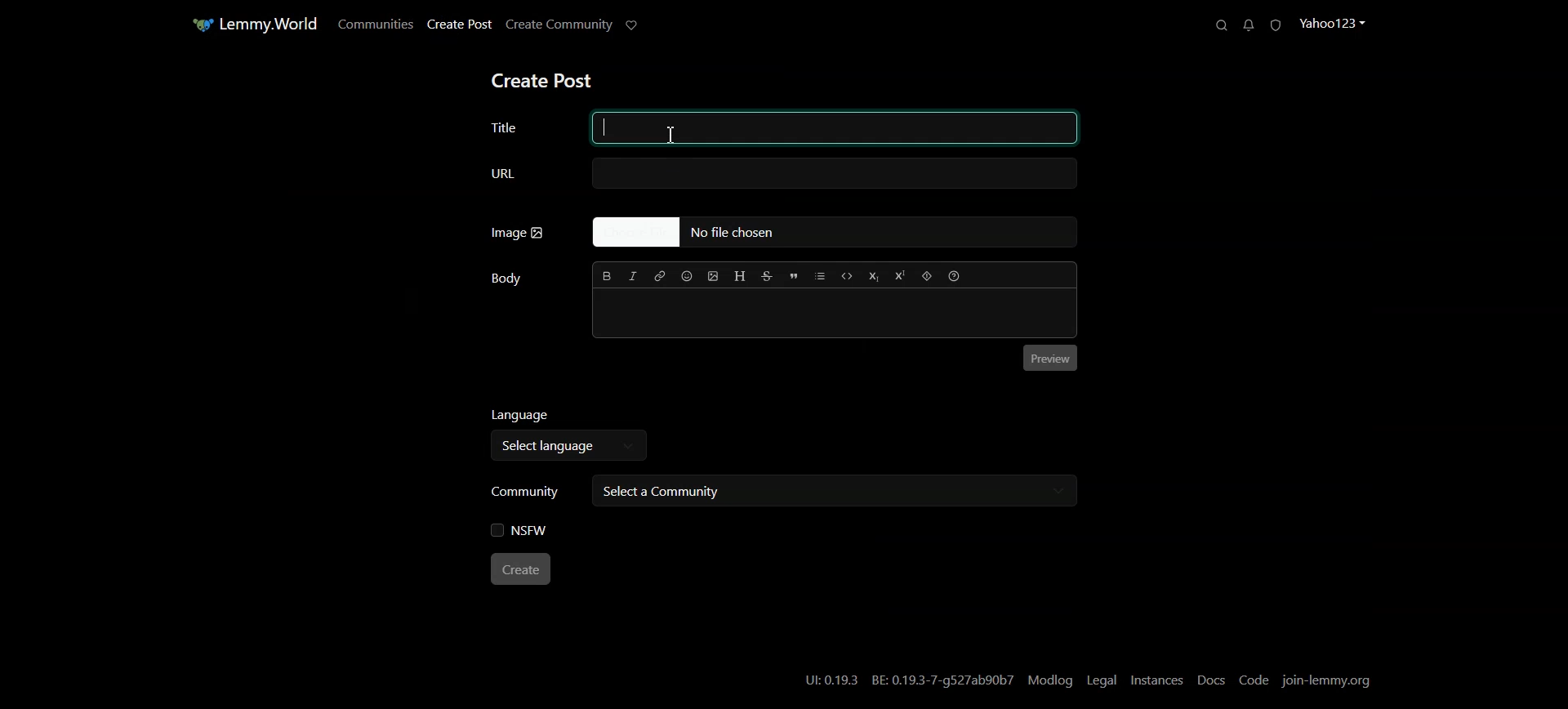 Image resolution: width=1568 pixels, height=709 pixels. What do you see at coordinates (740, 276) in the screenshot?
I see `Header` at bounding box center [740, 276].